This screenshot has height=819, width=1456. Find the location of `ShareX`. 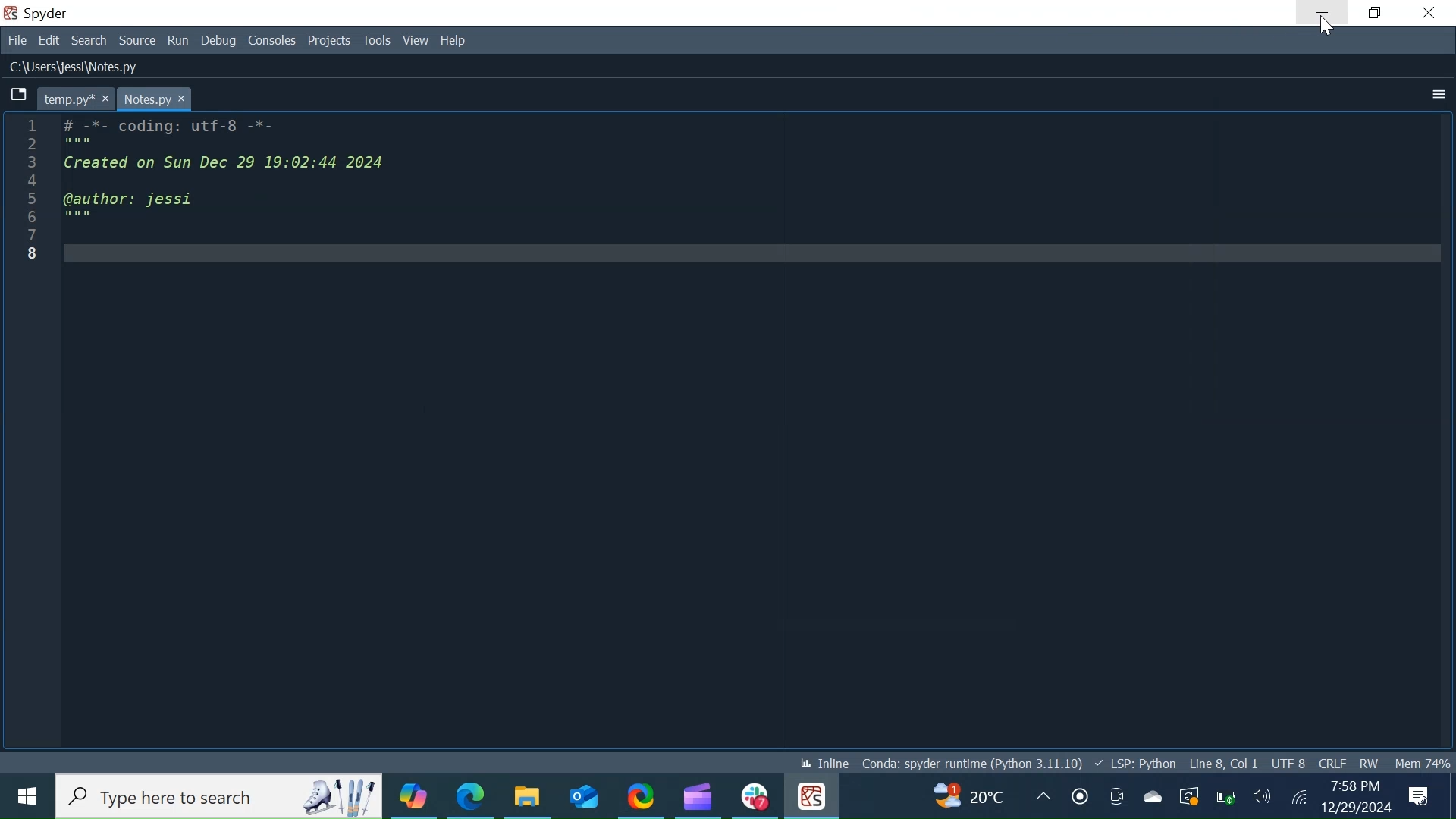

ShareX is located at coordinates (642, 795).